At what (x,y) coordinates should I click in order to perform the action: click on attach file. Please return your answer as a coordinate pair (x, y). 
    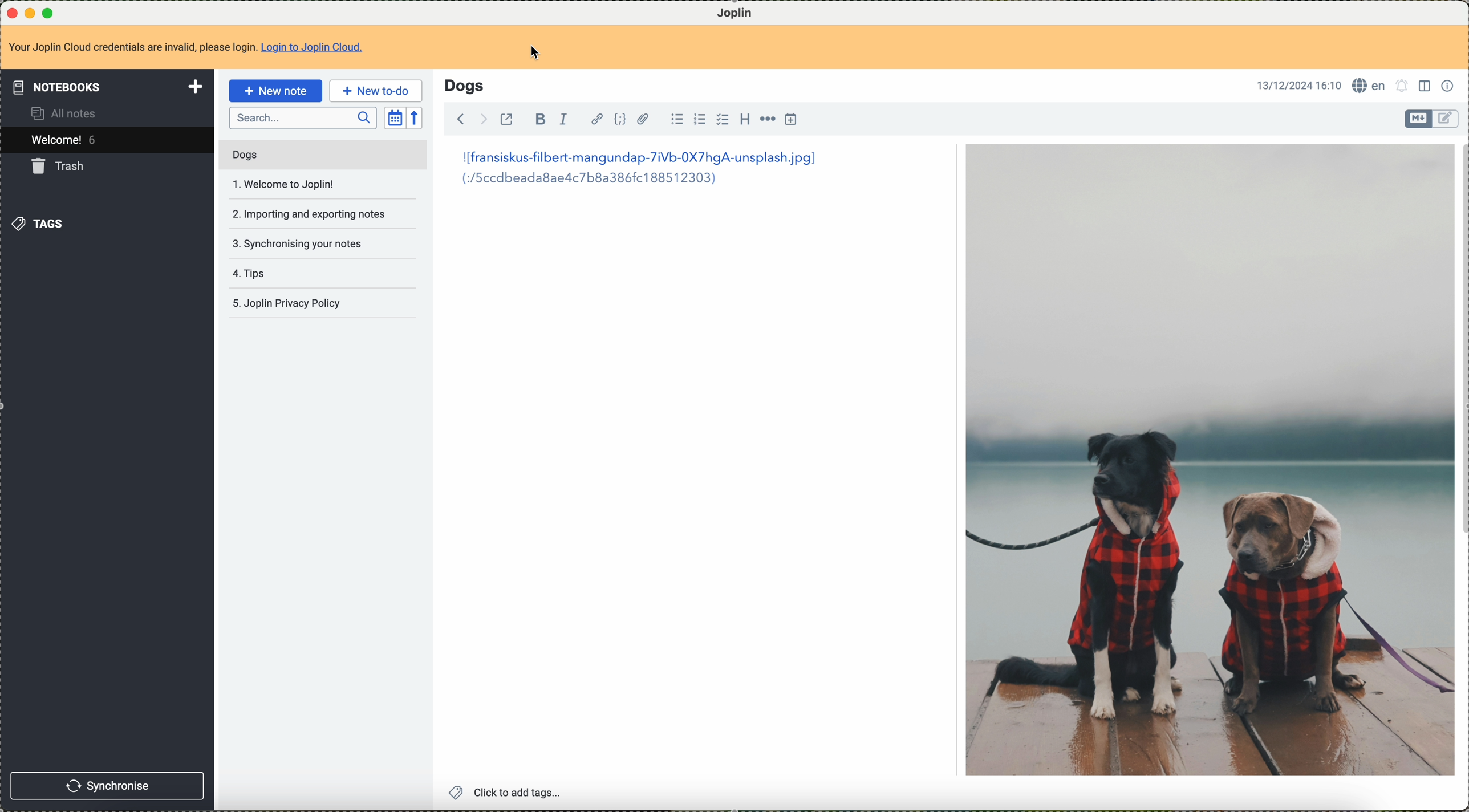
    Looking at the image, I should click on (646, 120).